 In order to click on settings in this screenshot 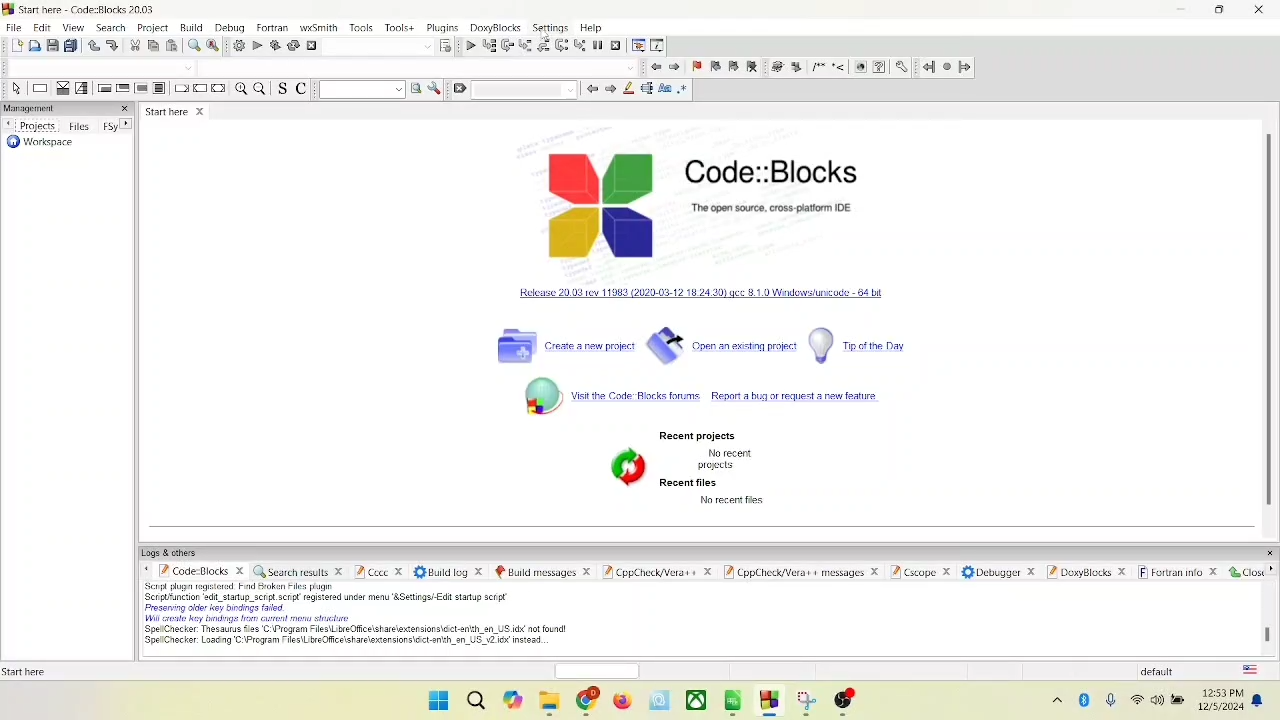, I will do `click(434, 88)`.